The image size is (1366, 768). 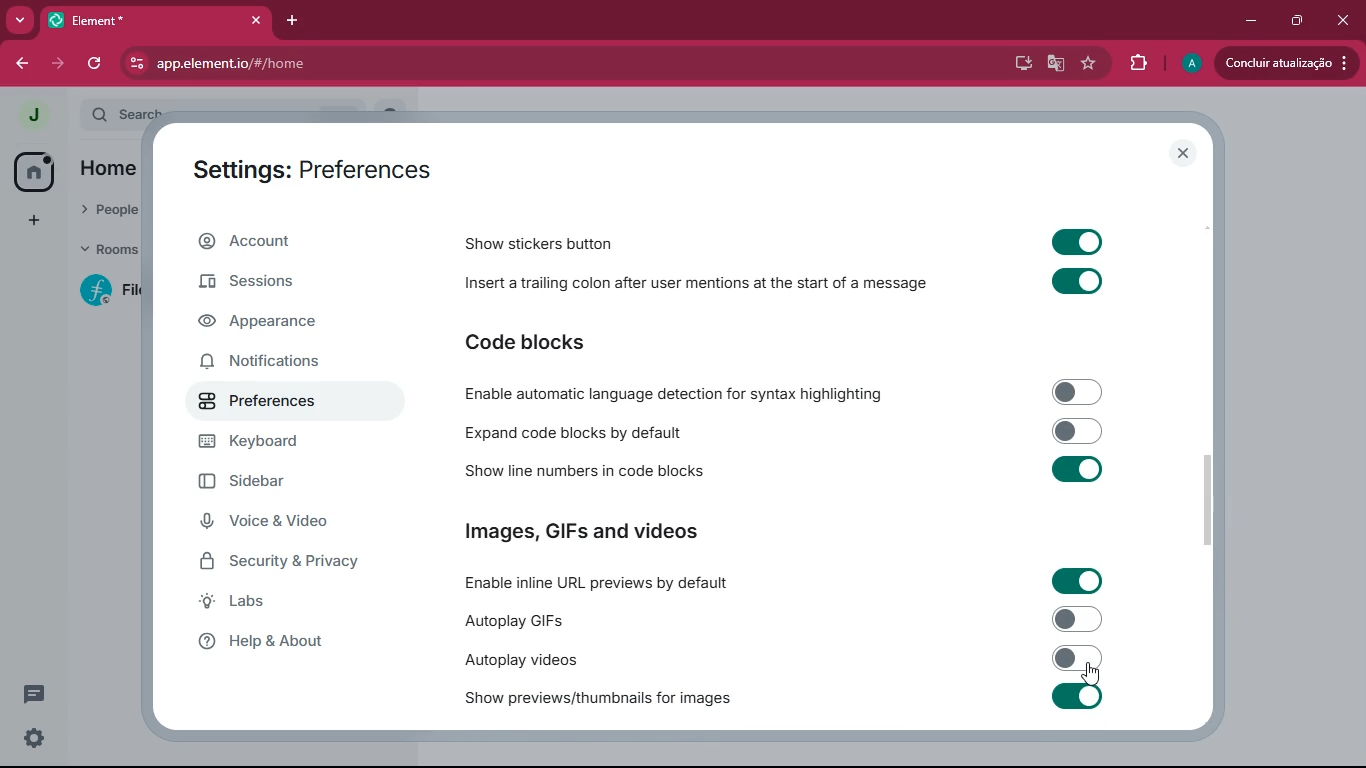 I want to click on keyboard, so click(x=289, y=443).